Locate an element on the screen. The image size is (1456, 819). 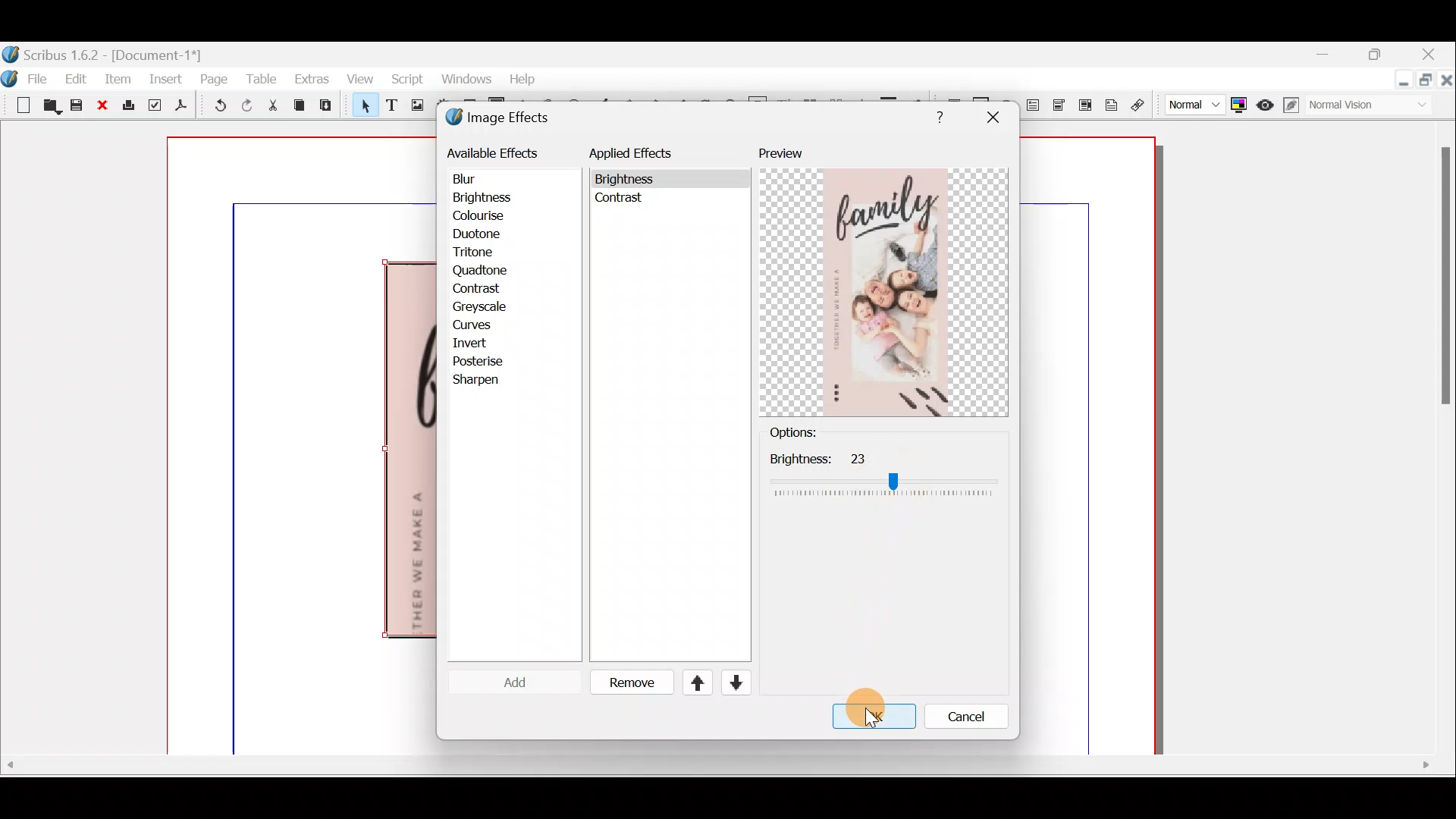
Applied effects is located at coordinates (643, 157).